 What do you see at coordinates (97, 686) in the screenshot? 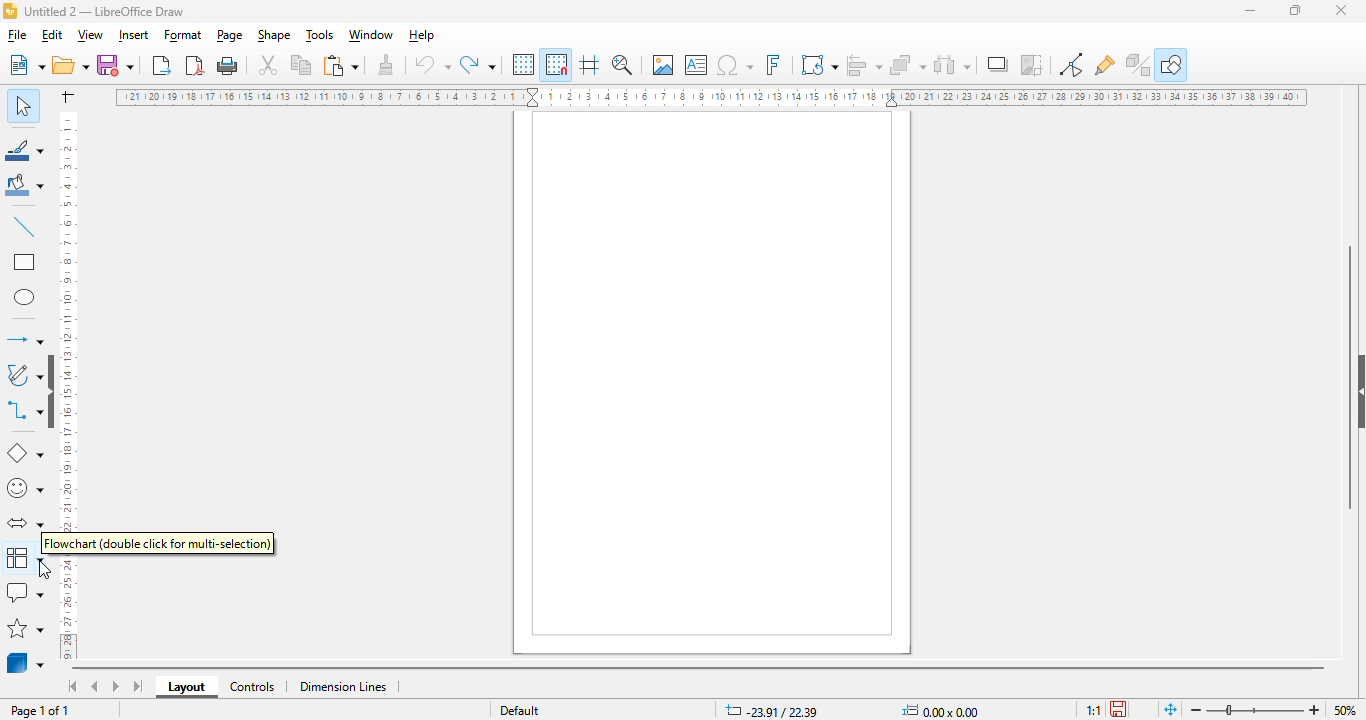
I see `scroll to previous sheet` at bounding box center [97, 686].